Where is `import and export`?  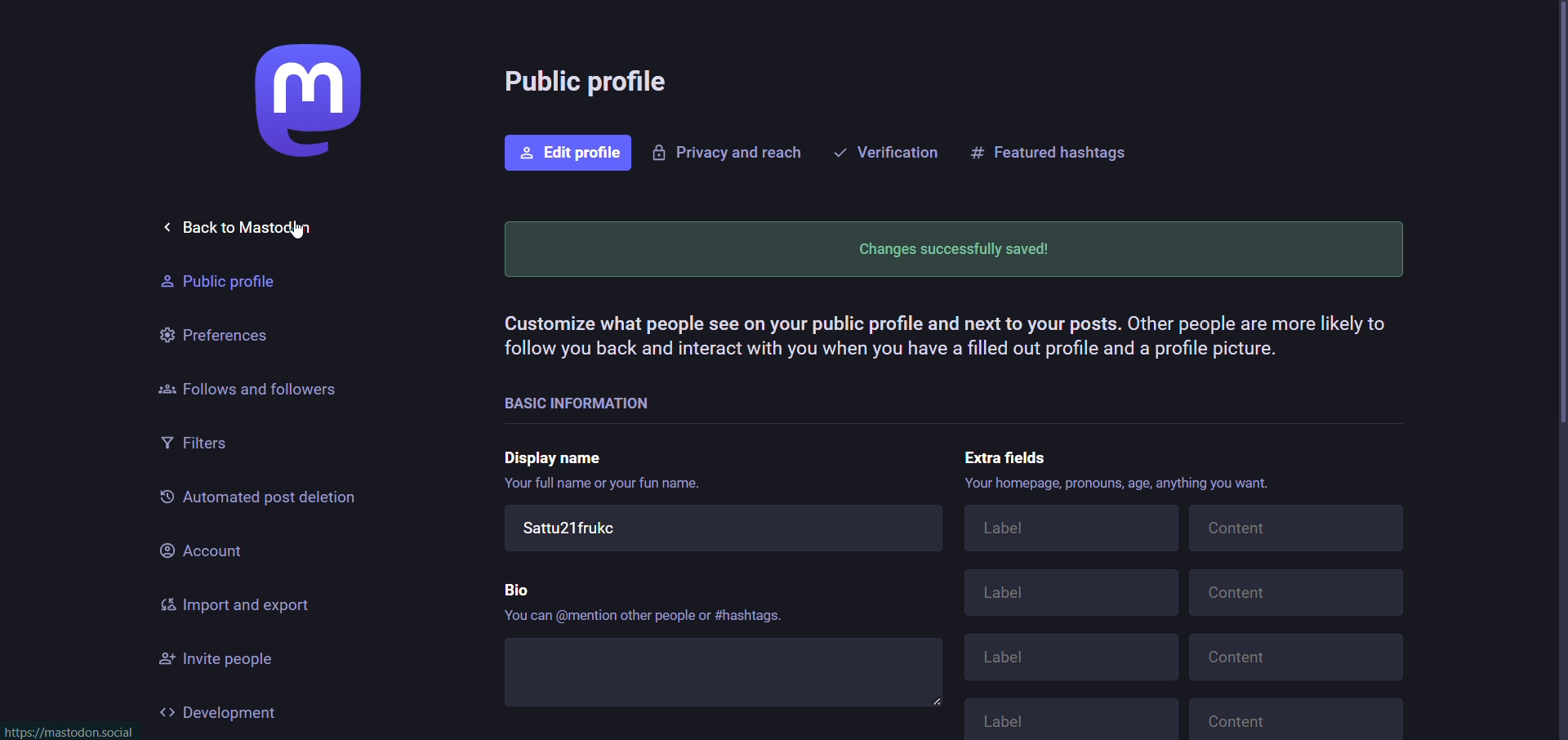
import and export is located at coordinates (236, 606).